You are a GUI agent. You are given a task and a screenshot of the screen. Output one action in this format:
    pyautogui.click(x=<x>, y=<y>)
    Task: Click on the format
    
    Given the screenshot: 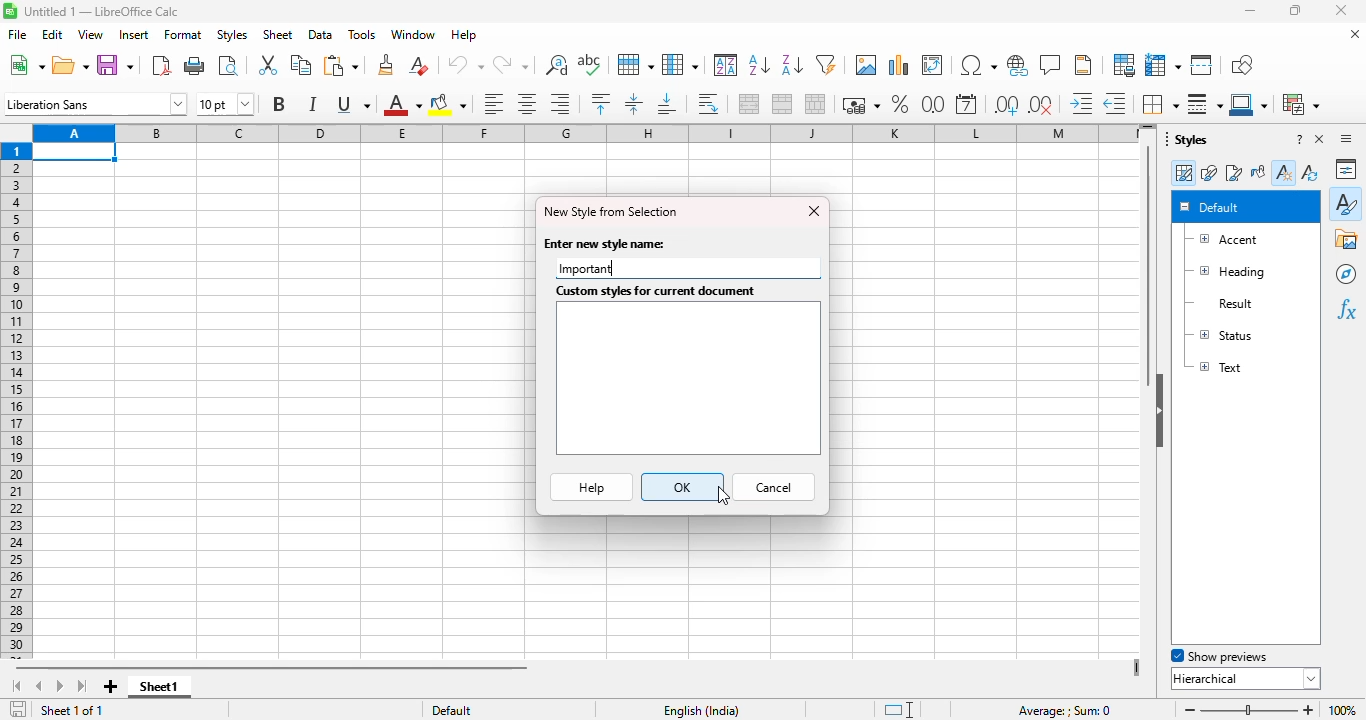 What is the action you would take?
    pyautogui.click(x=184, y=35)
    